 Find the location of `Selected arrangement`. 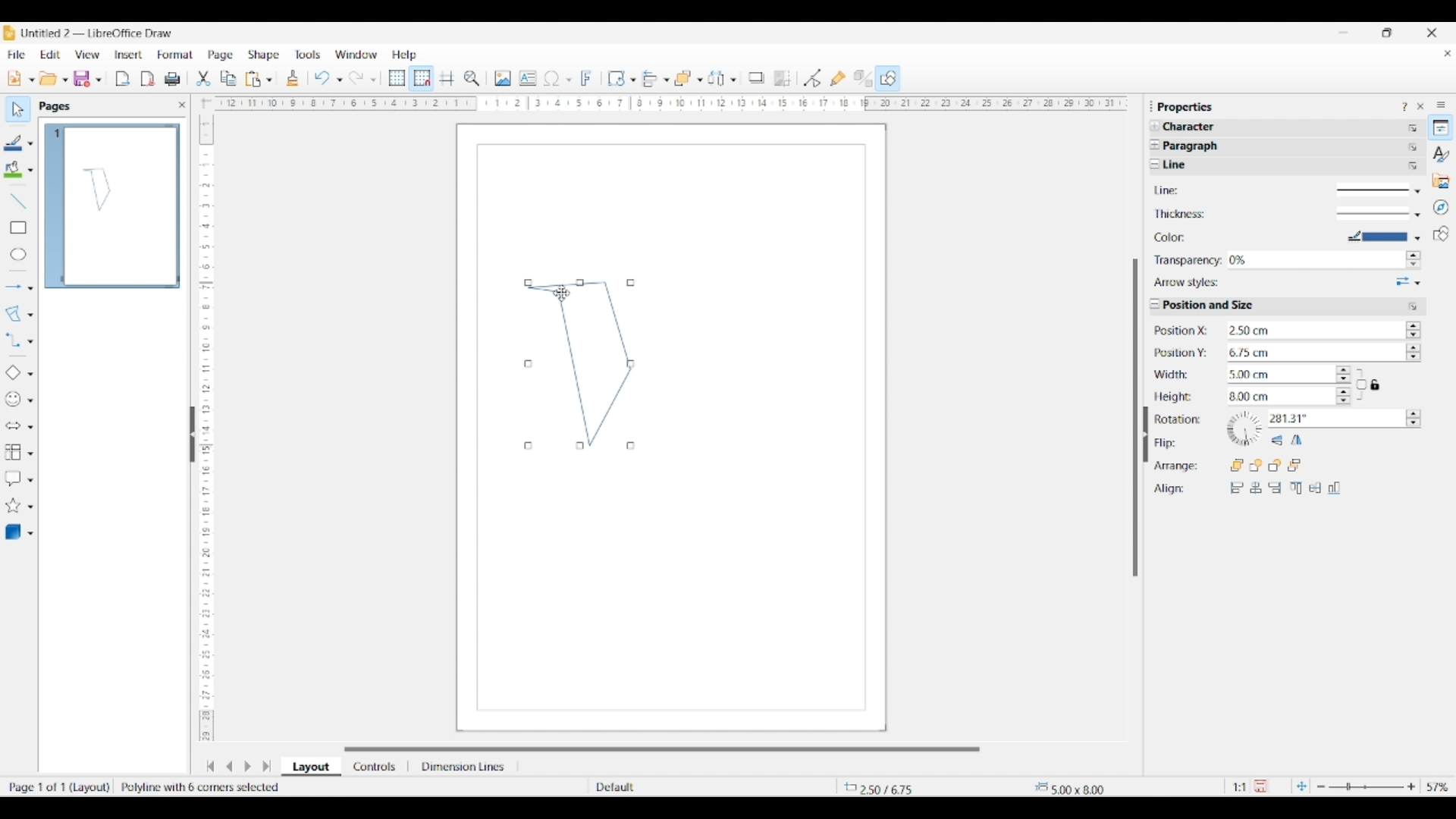

Selected arrangement is located at coordinates (683, 79).